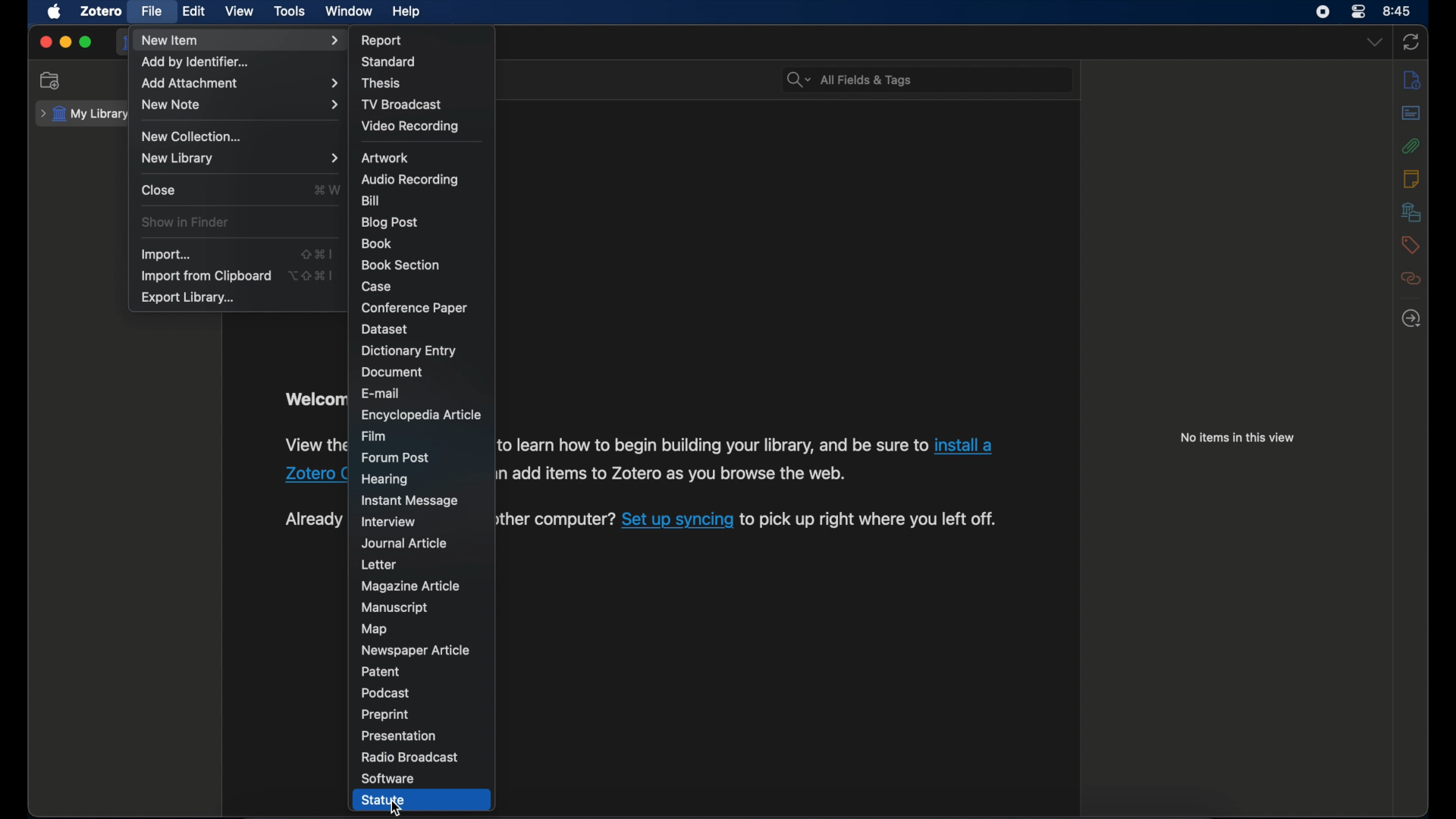 This screenshot has height=819, width=1456. Describe the element at coordinates (385, 714) in the screenshot. I see `preprint` at that location.